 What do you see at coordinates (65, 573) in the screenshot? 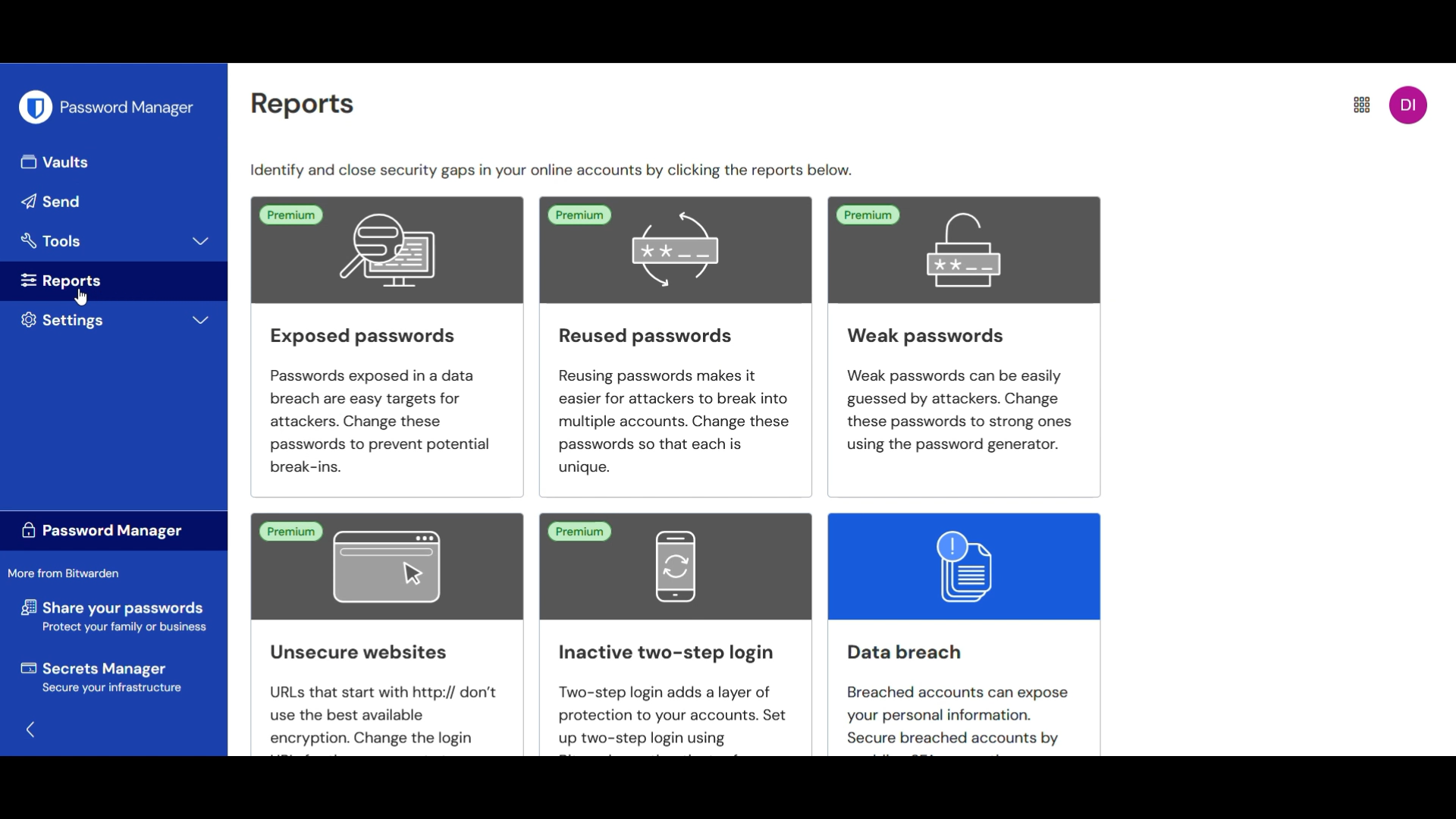
I see `Section title more from bitwarden` at bounding box center [65, 573].